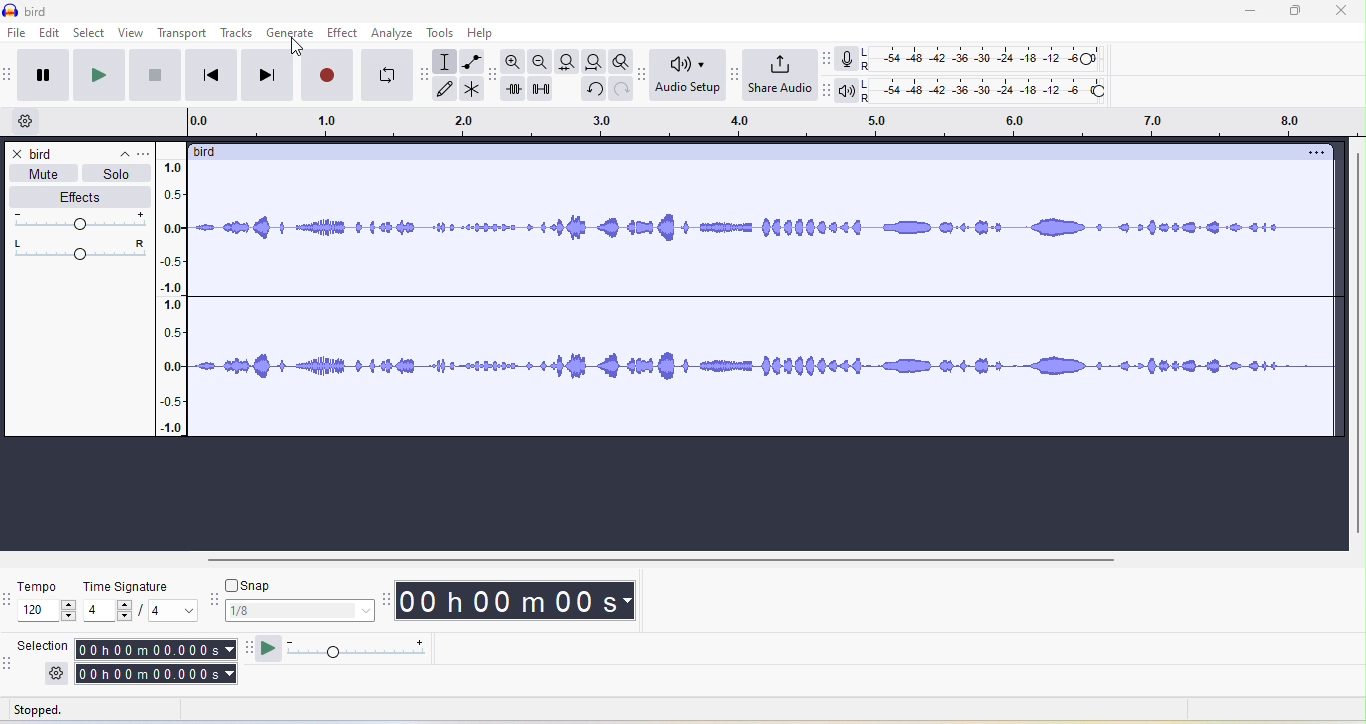  I want to click on share audio, so click(779, 75).